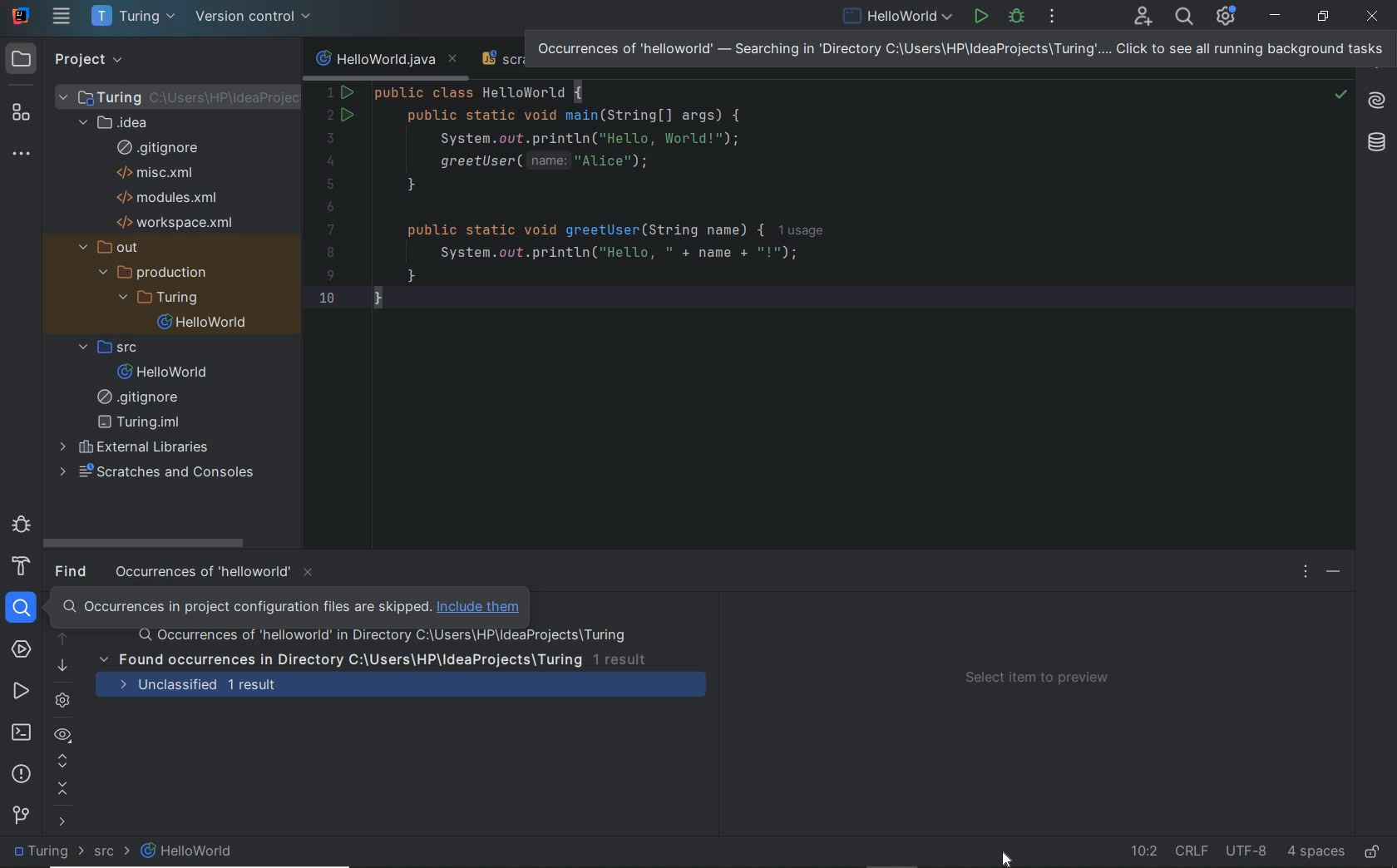 The width and height of the screenshot is (1397, 868). Describe the element at coordinates (1341, 95) in the screenshot. I see `no problems highlighted` at that location.